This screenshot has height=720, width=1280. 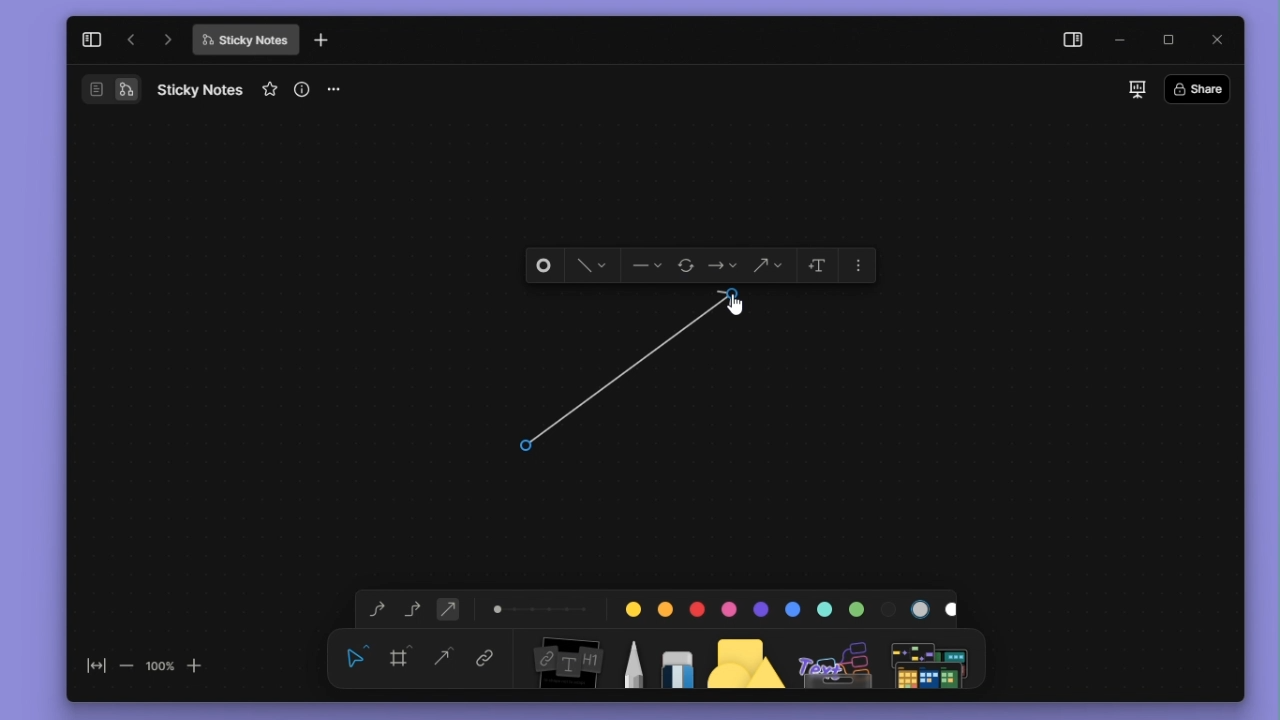 What do you see at coordinates (168, 39) in the screenshot?
I see `go forward` at bounding box center [168, 39].